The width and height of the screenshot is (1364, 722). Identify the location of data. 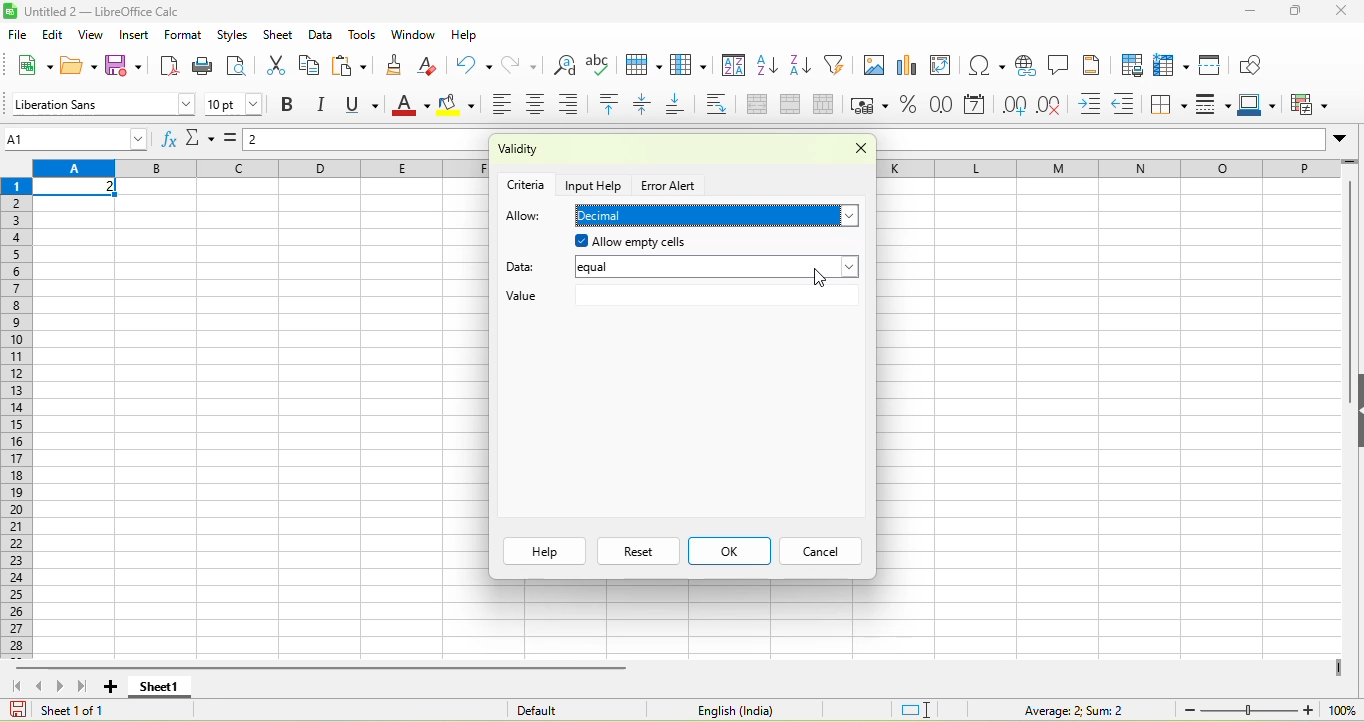
(526, 264).